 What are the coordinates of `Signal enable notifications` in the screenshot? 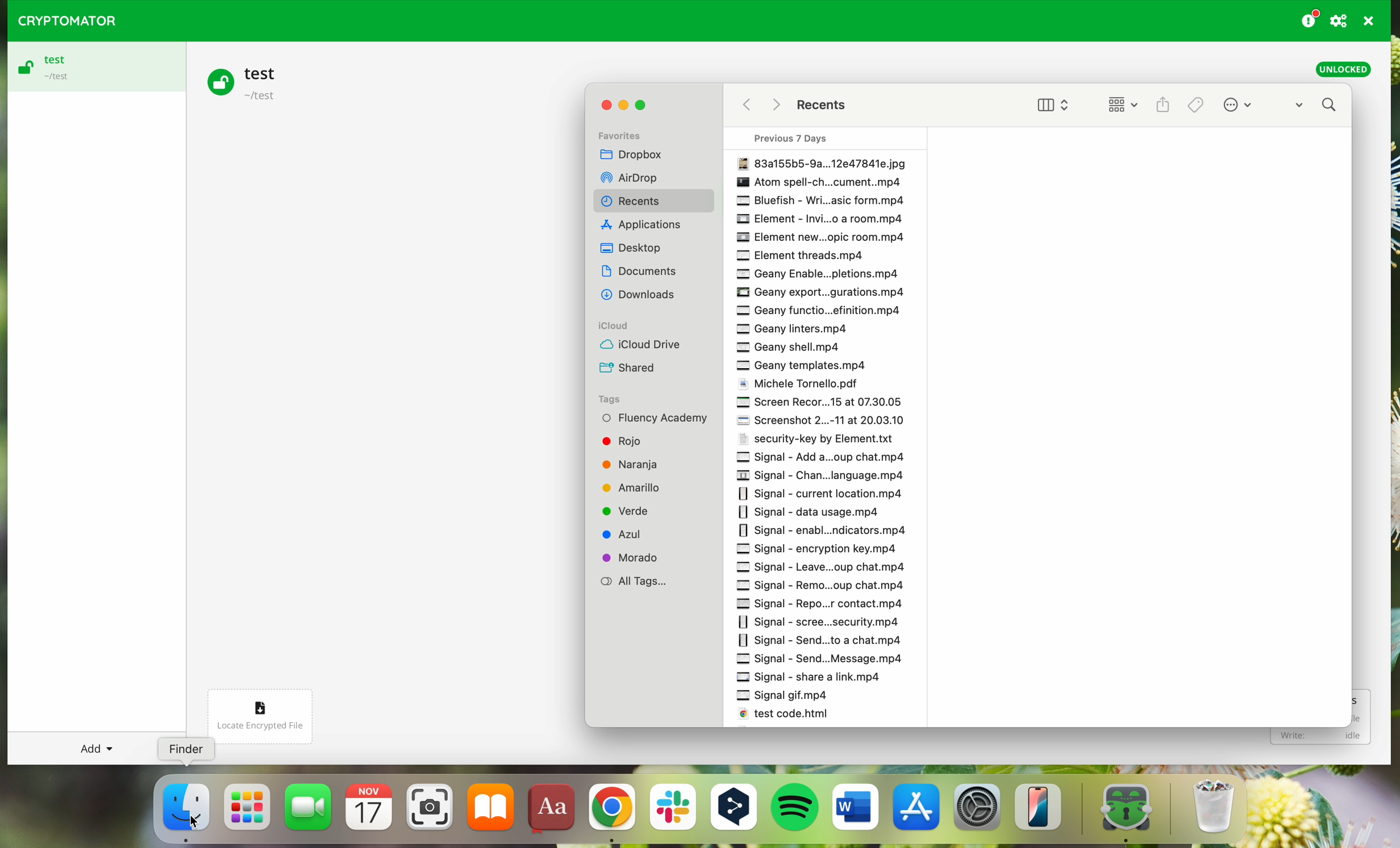 It's located at (823, 529).